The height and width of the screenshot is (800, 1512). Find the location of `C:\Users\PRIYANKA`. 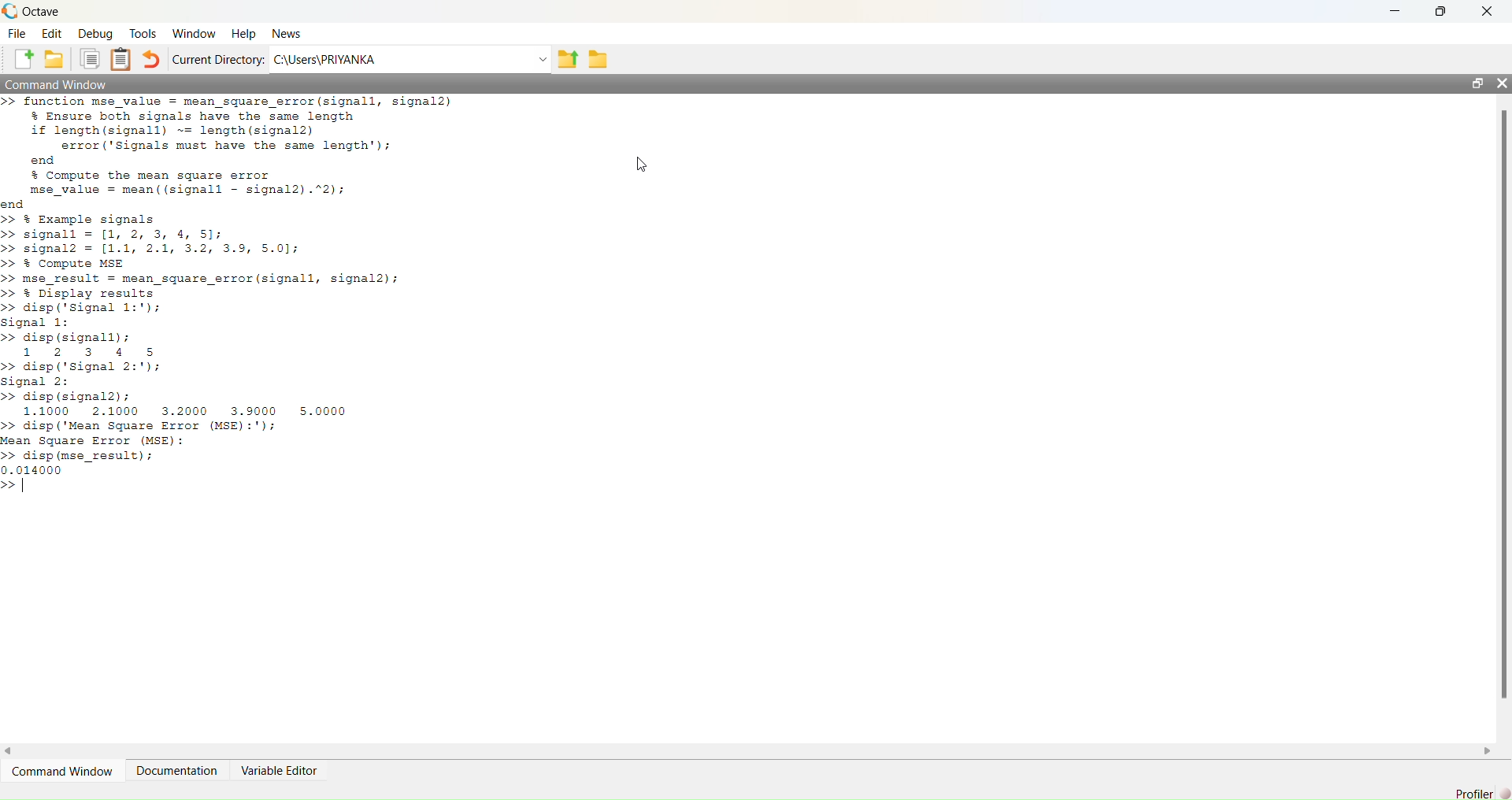

C:\Users\PRIYANKA is located at coordinates (332, 60).